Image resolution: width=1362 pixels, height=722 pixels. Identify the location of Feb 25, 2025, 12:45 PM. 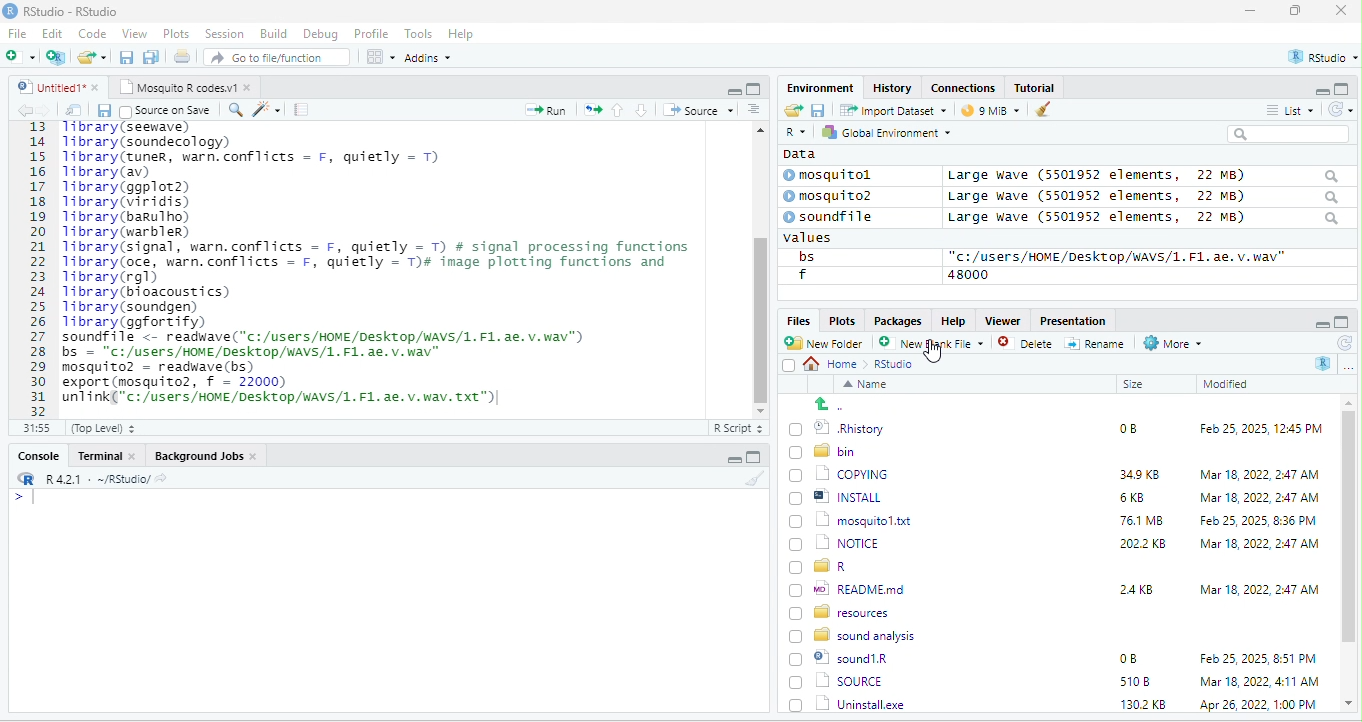
(1261, 431).